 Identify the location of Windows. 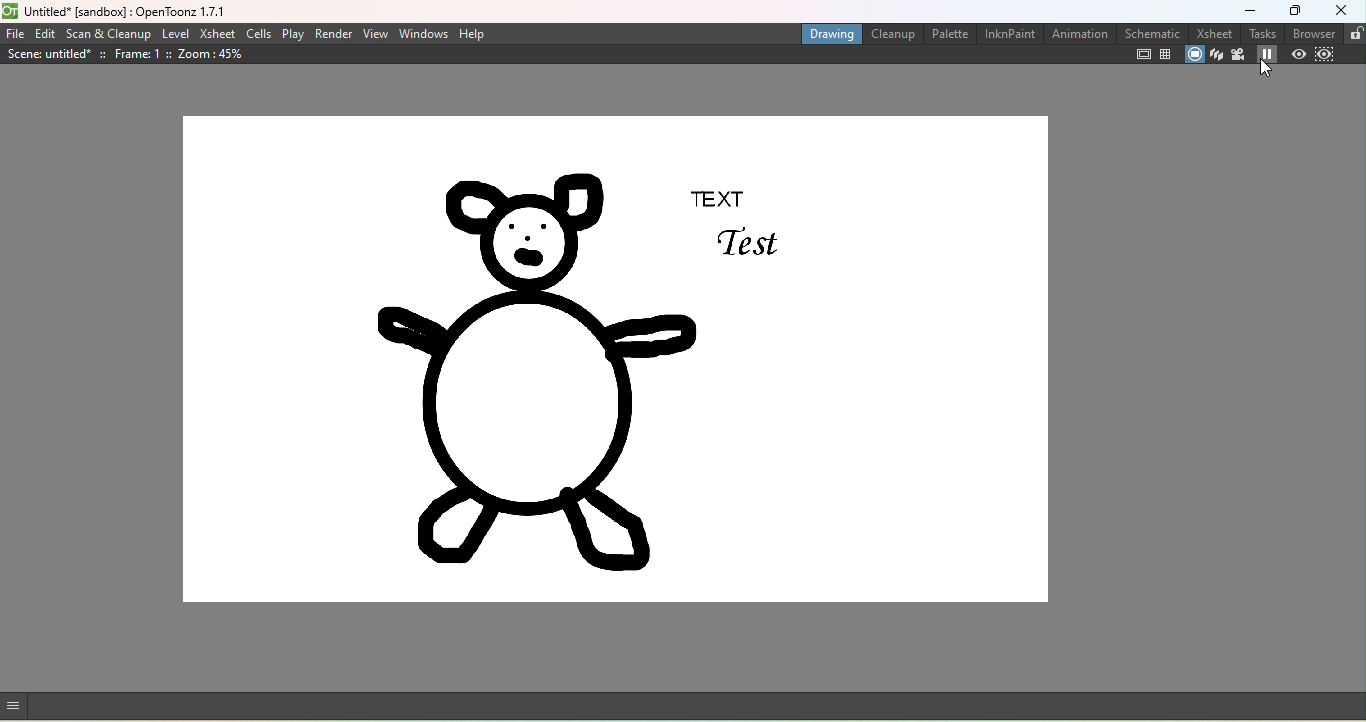
(422, 34).